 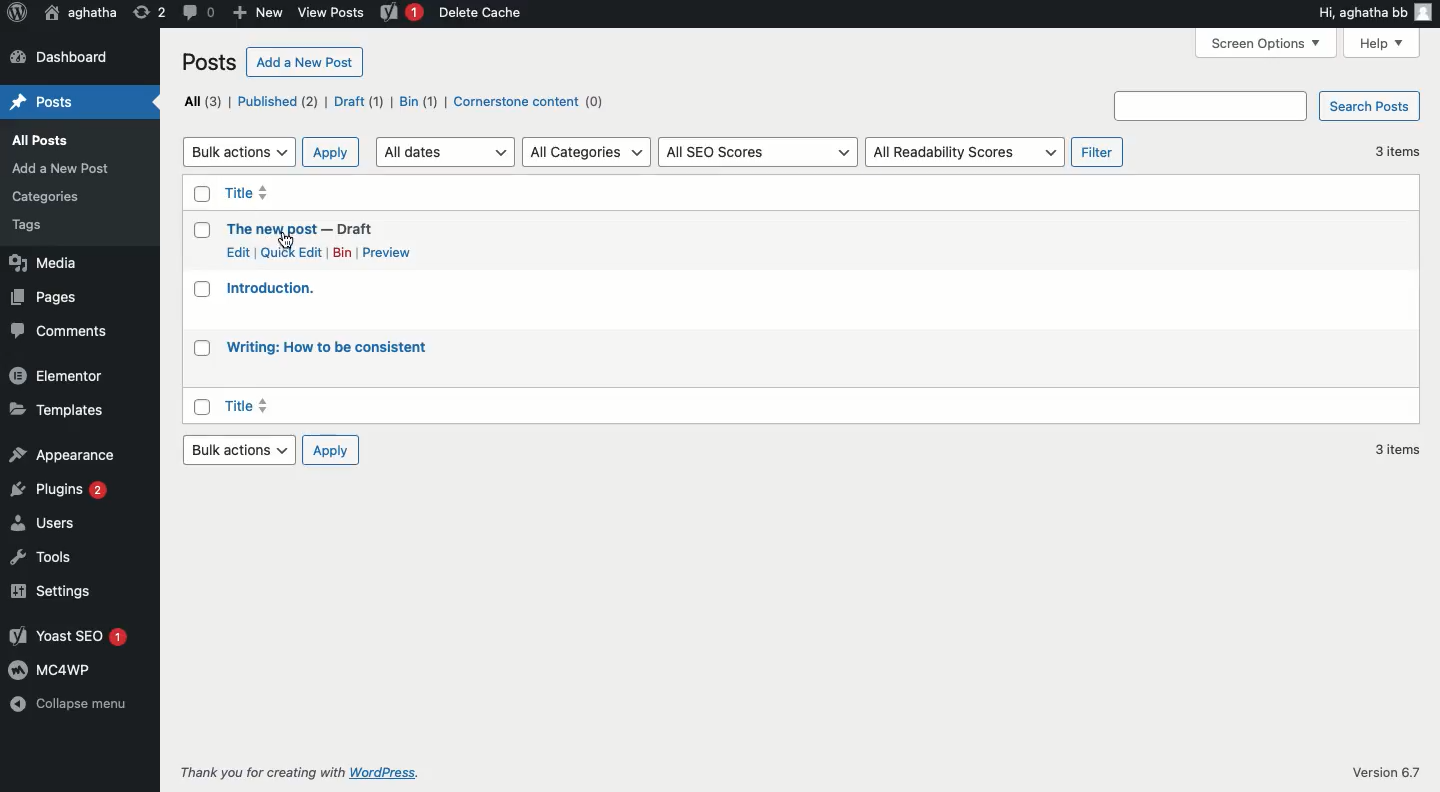 What do you see at coordinates (42, 101) in the screenshot?
I see `Posts` at bounding box center [42, 101].